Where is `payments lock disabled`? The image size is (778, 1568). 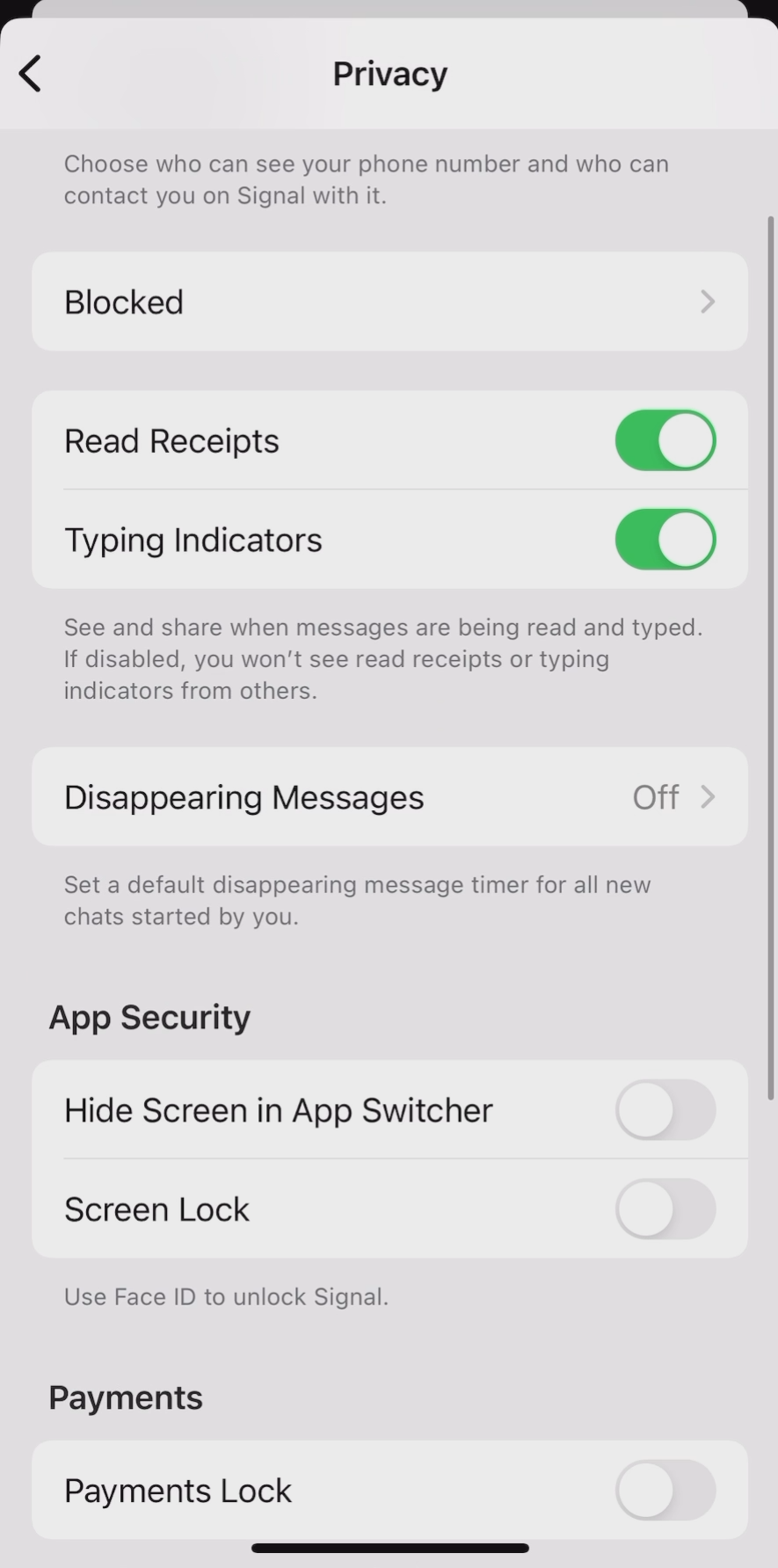
payments lock disabled is located at coordinates (384, 1491).